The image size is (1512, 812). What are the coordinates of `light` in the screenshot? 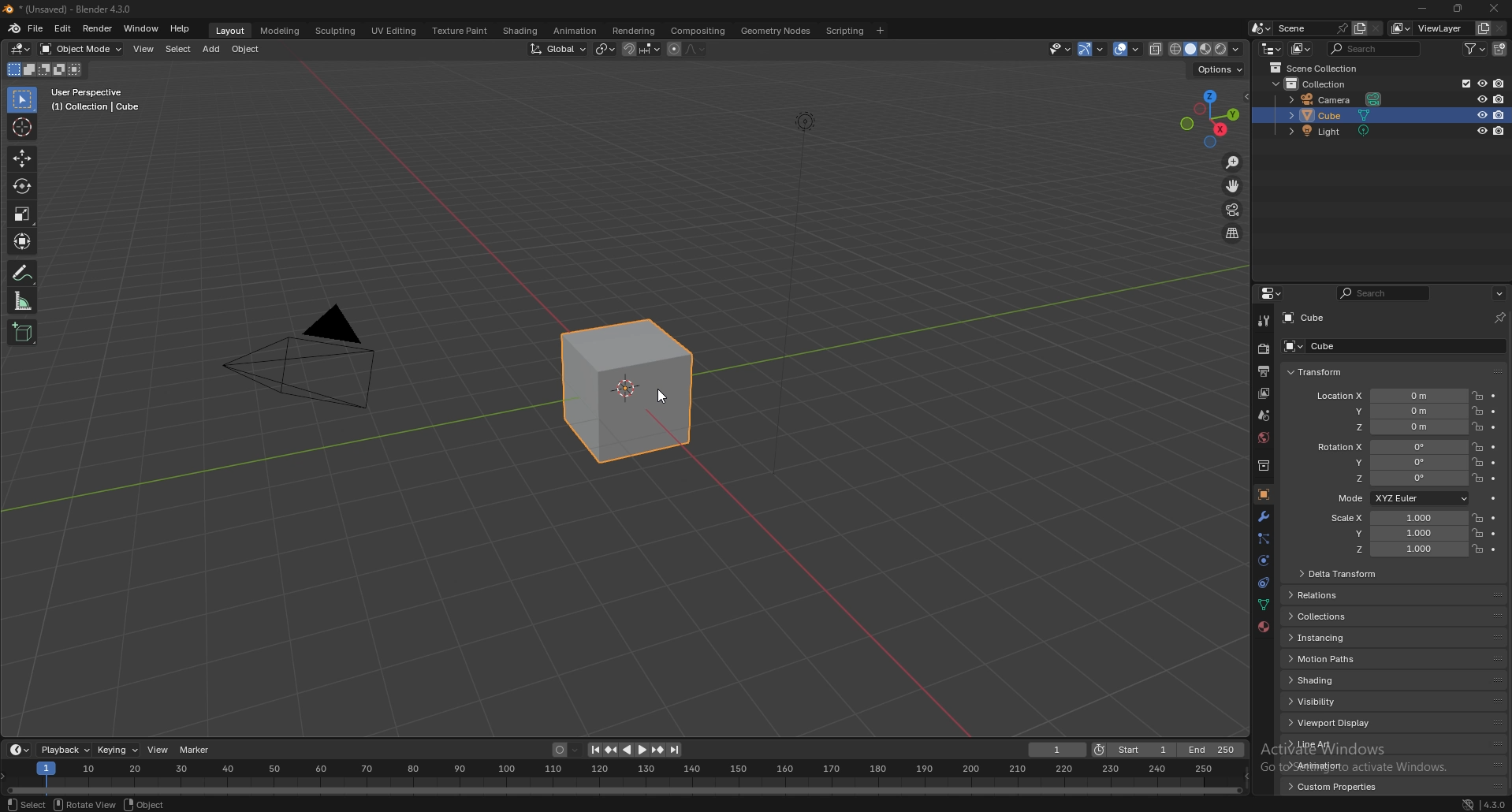 It's located at (802, 122).